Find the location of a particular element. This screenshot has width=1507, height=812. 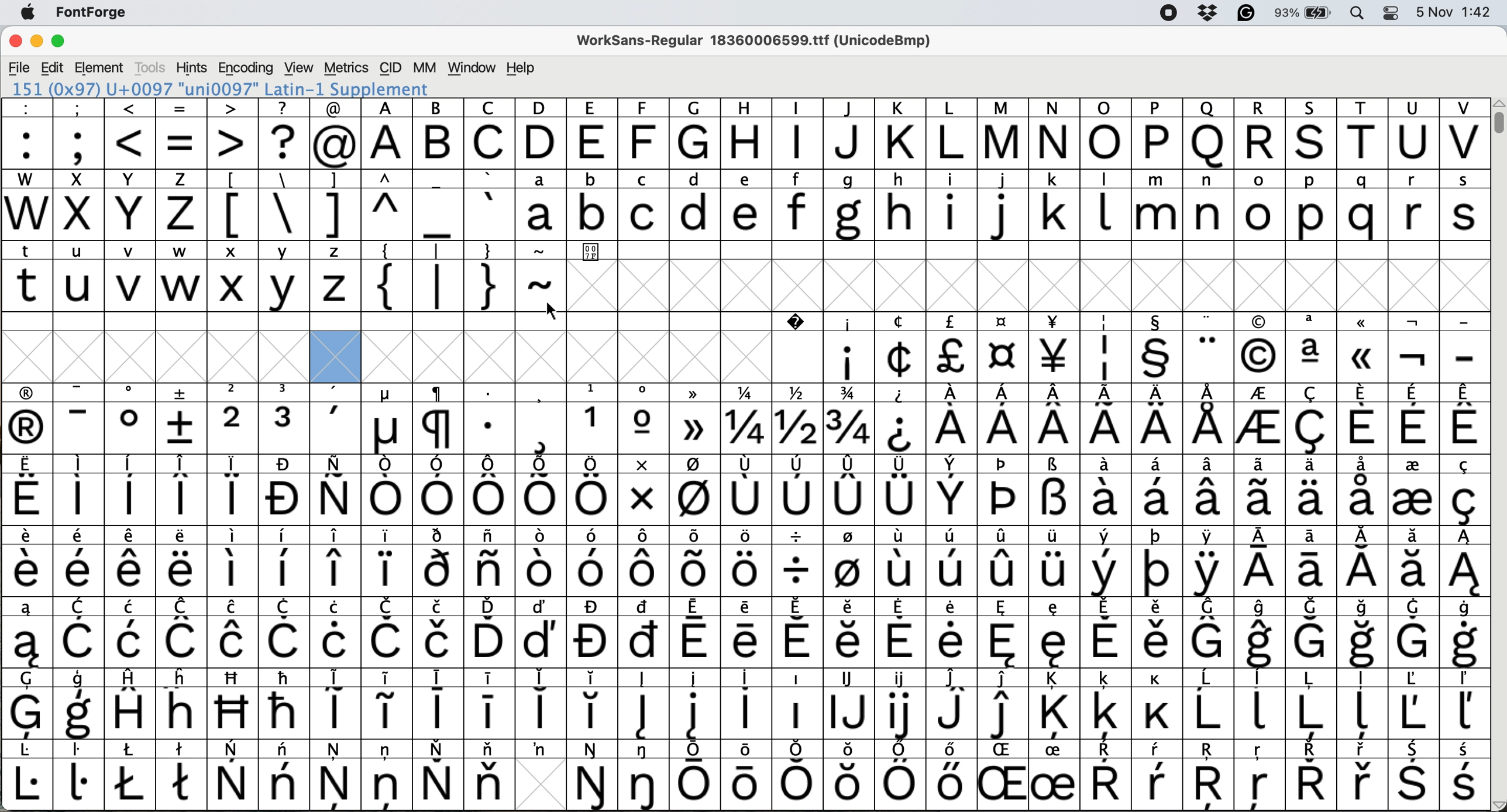

x is located at coordinates (232, 276).